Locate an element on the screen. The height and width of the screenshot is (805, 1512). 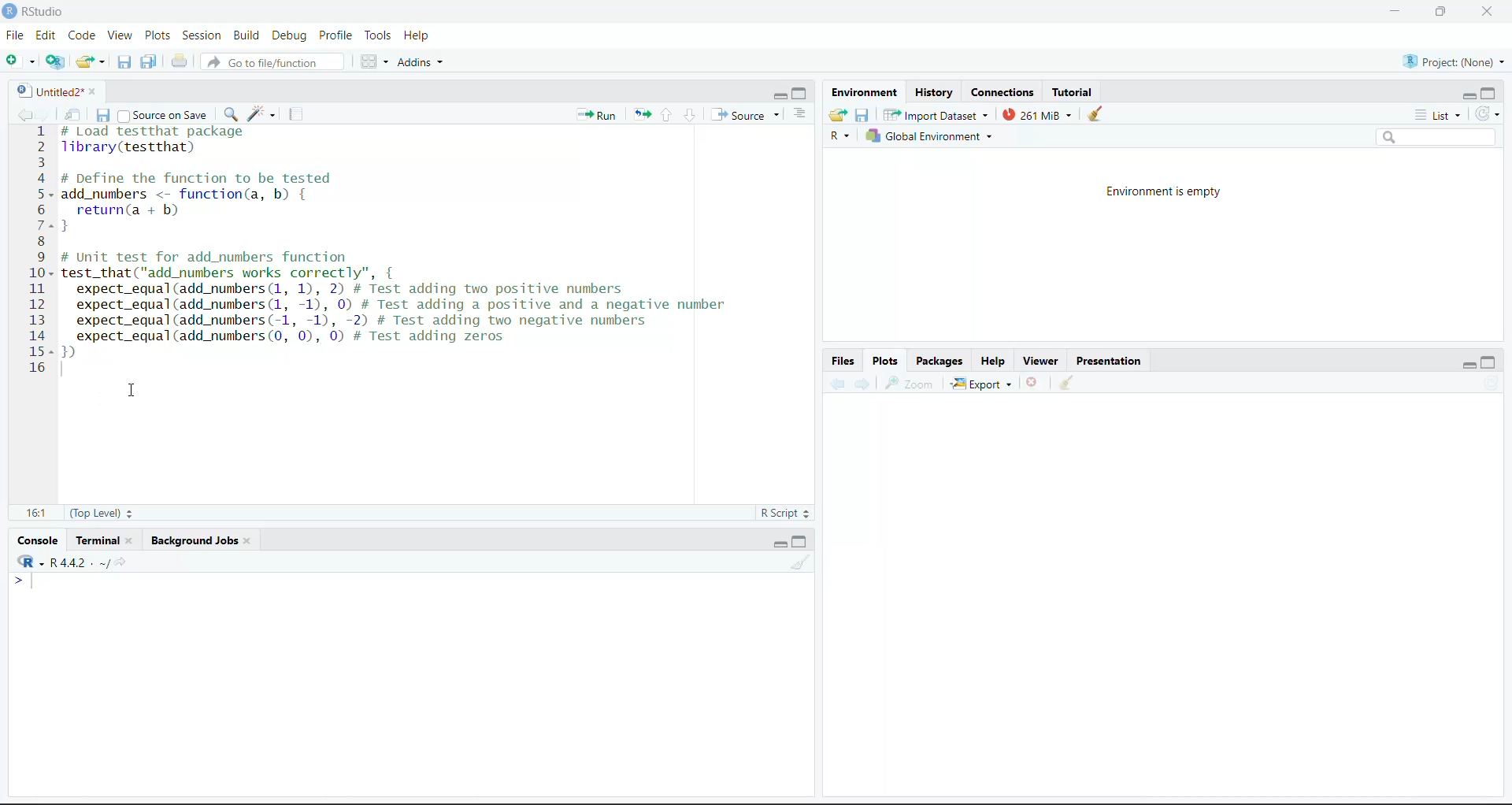
Session is located at coordinates (202, 35).